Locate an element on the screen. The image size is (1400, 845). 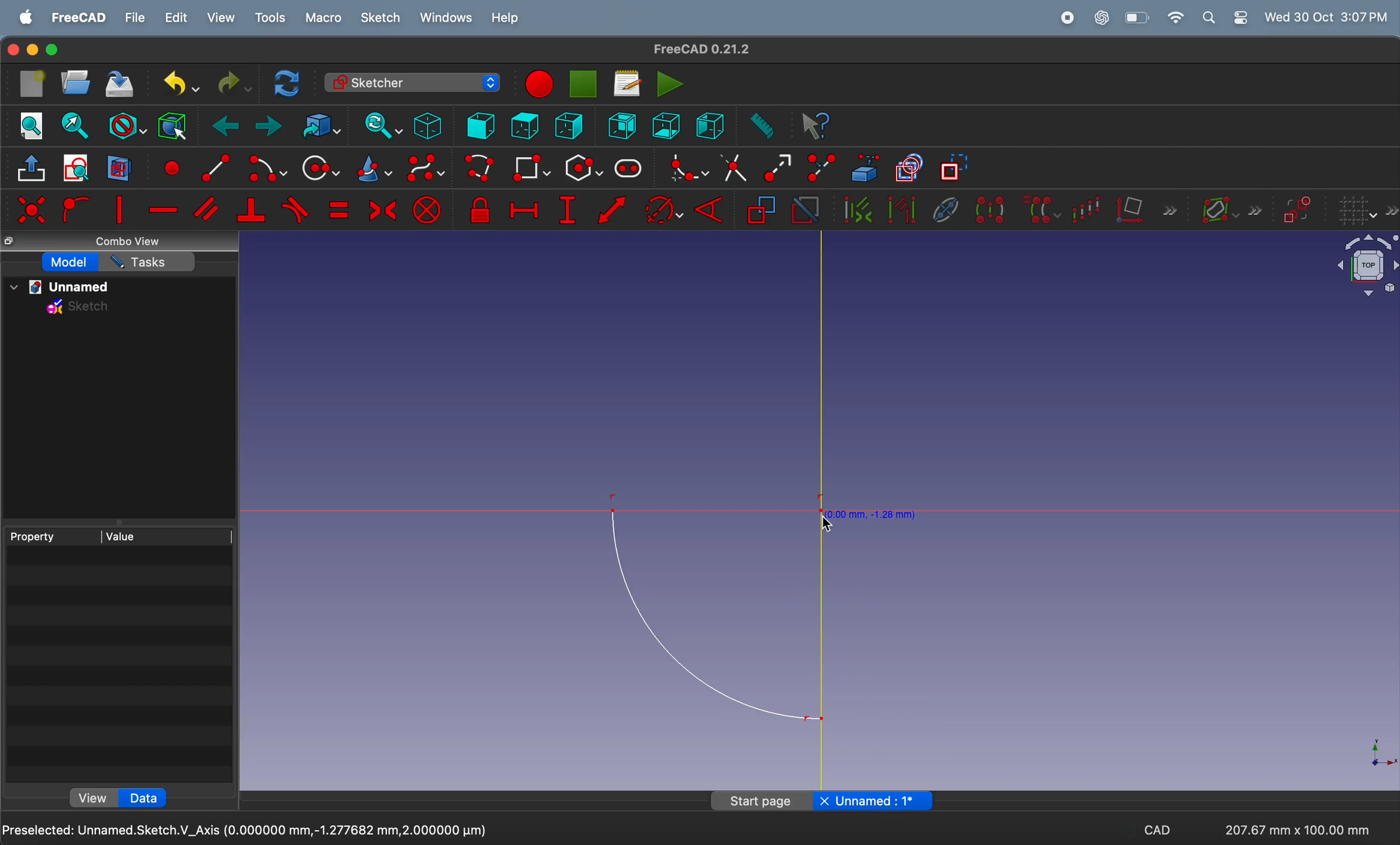
Tasks is located at coordinates (149, 262).